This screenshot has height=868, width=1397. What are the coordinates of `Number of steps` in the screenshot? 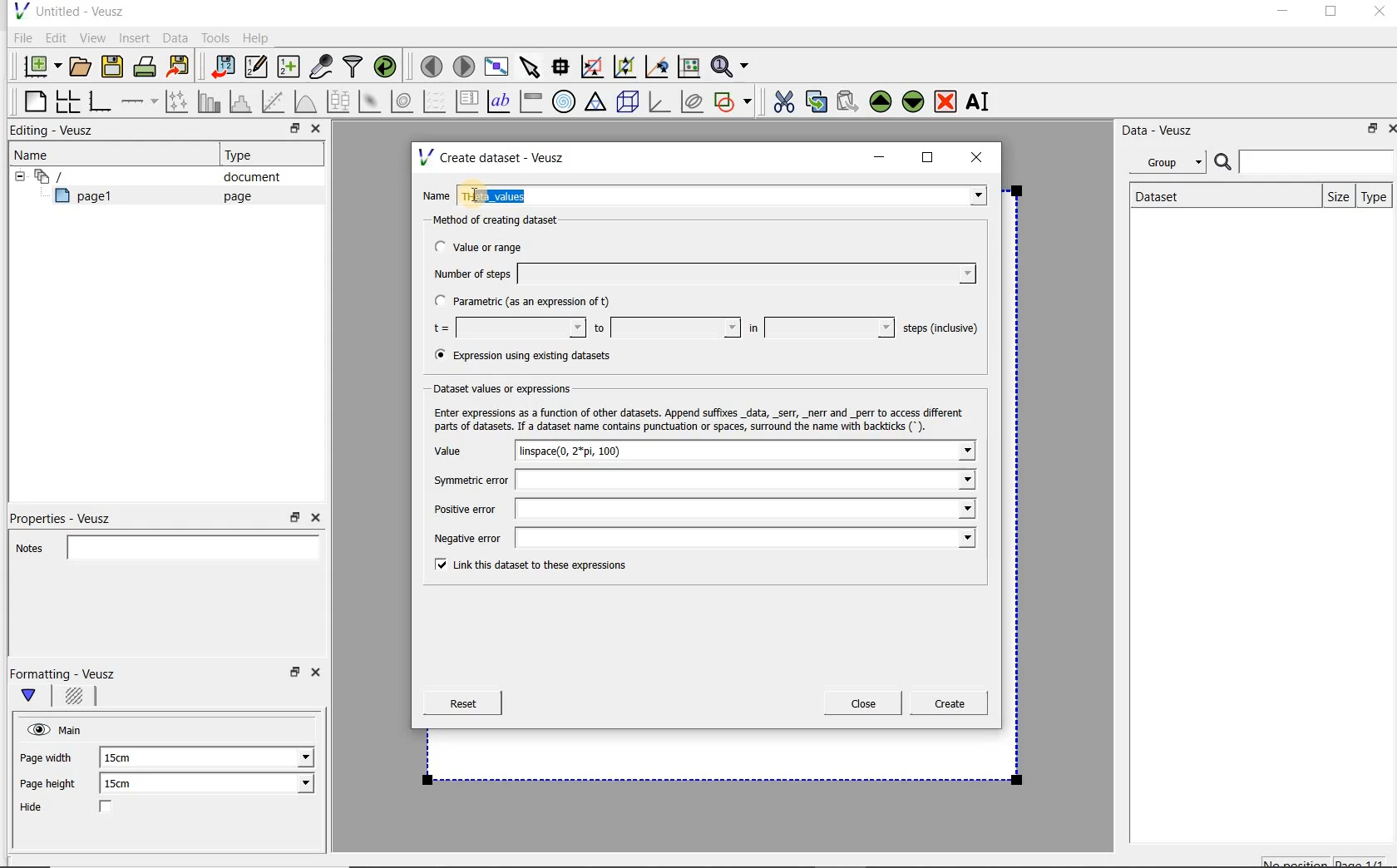 It's located at (699, 274).